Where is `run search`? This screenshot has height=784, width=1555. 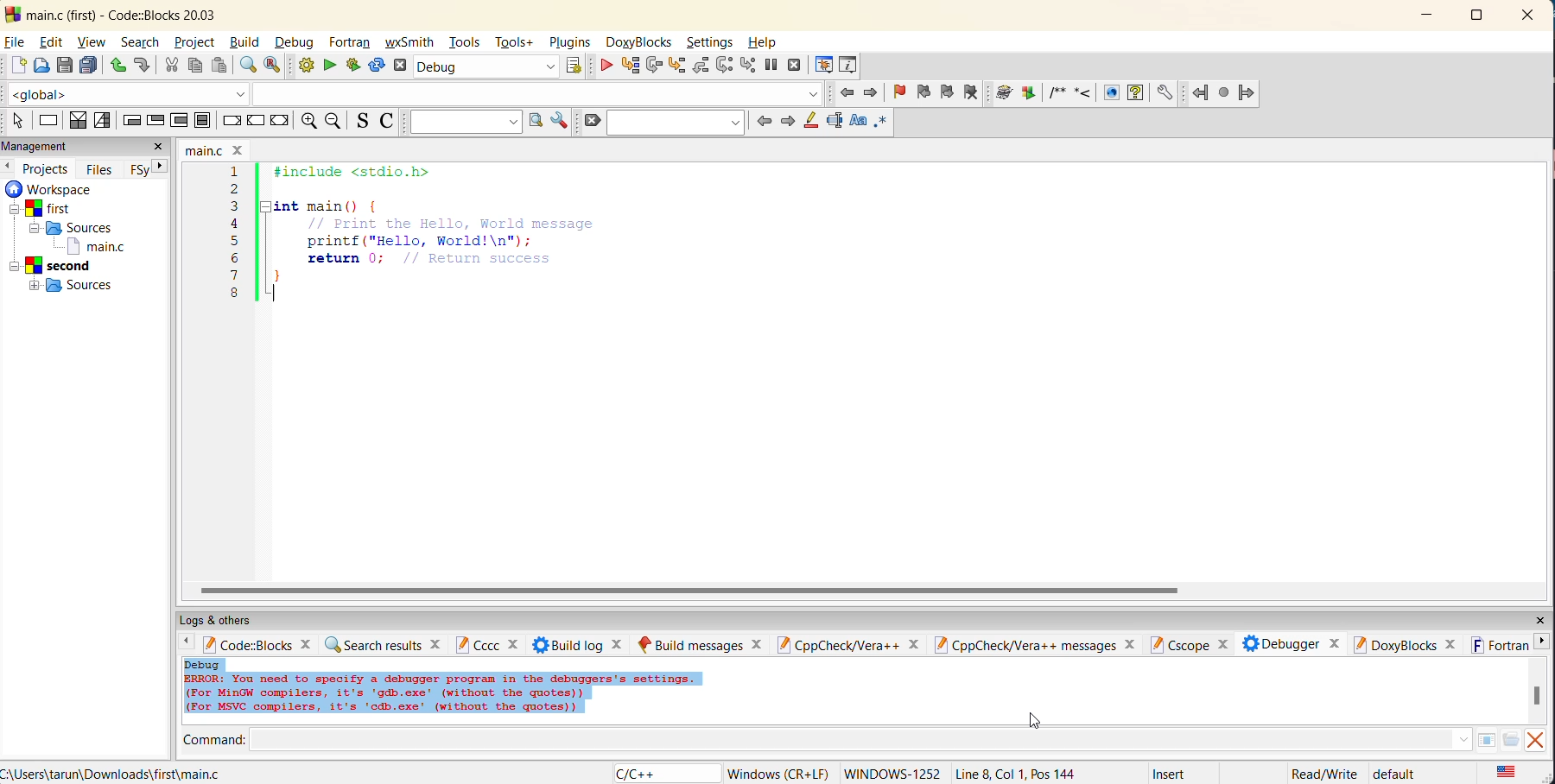 run search is located at coordinates (536, 123).